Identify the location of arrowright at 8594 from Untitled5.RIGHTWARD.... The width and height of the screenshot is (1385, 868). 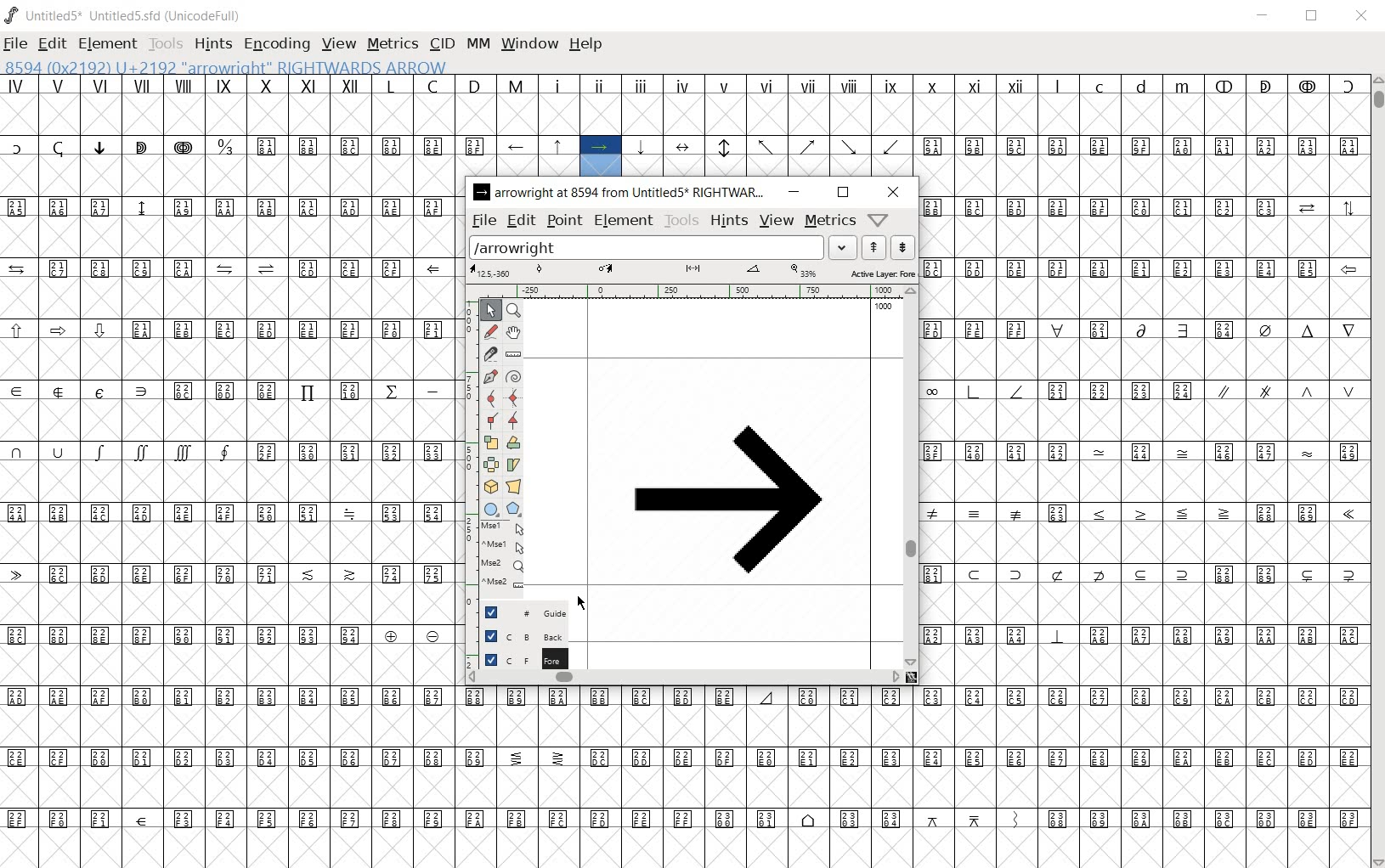
(620, 193).